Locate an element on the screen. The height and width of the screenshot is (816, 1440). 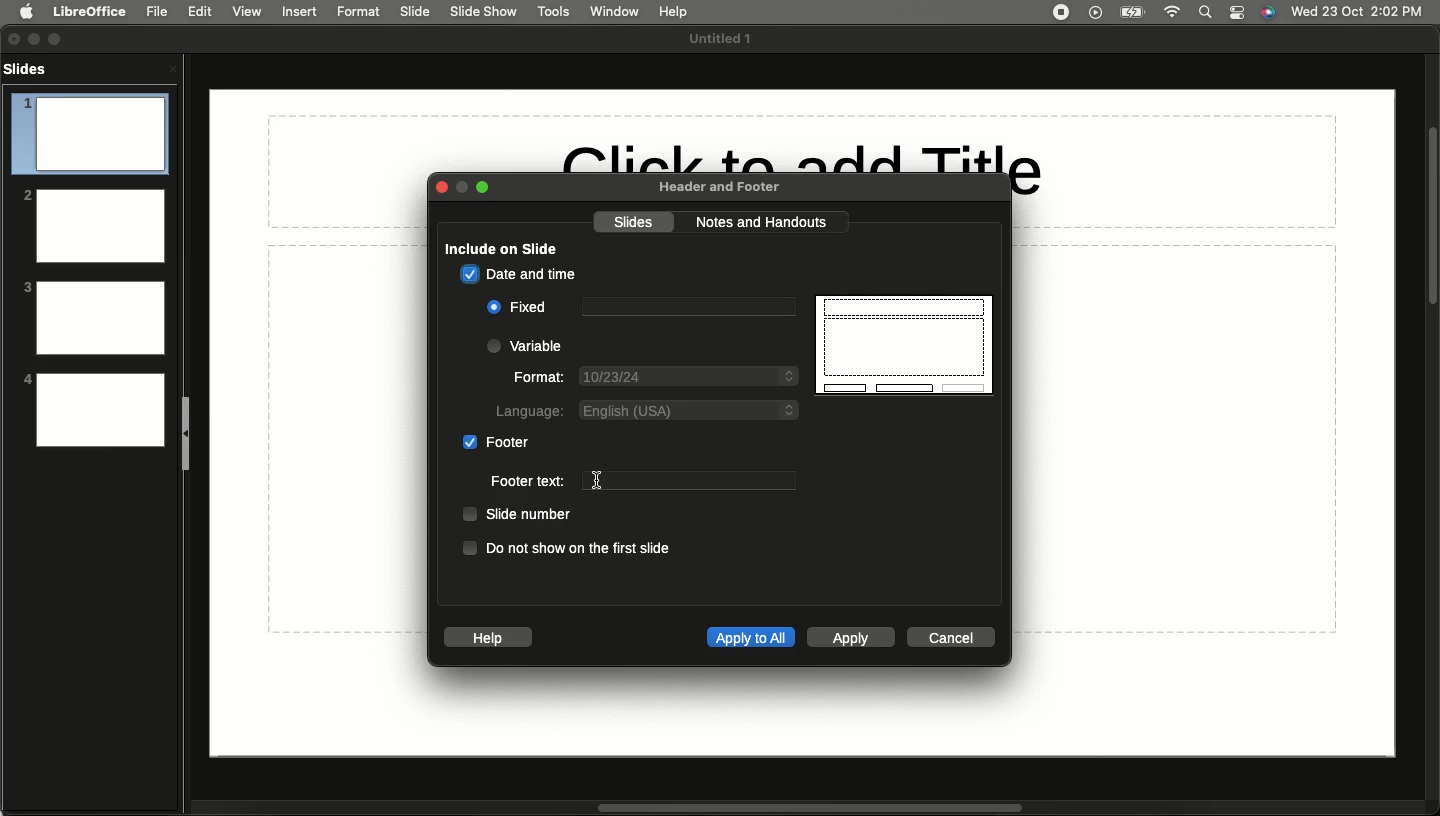
2 is located at coordinates (92, 224).